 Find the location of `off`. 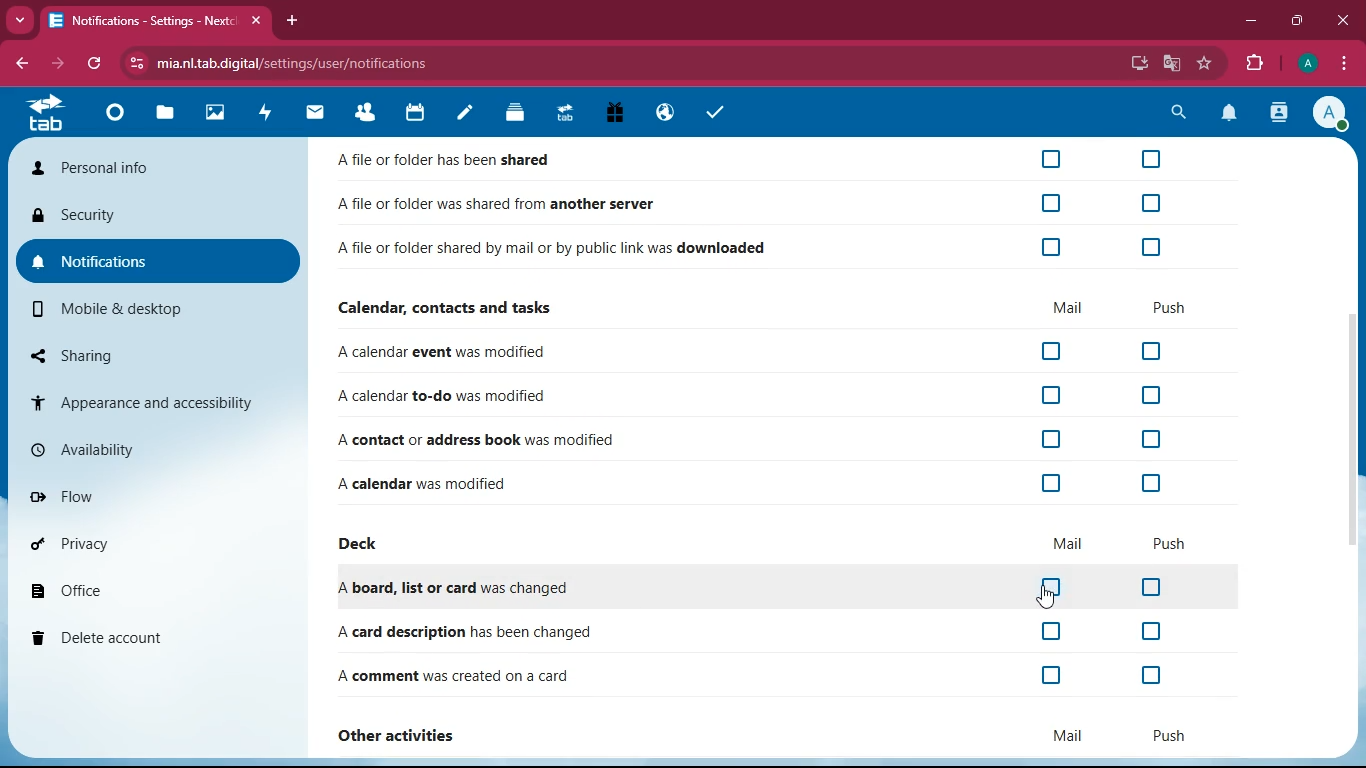

off is located at coordinates (1151, 393).